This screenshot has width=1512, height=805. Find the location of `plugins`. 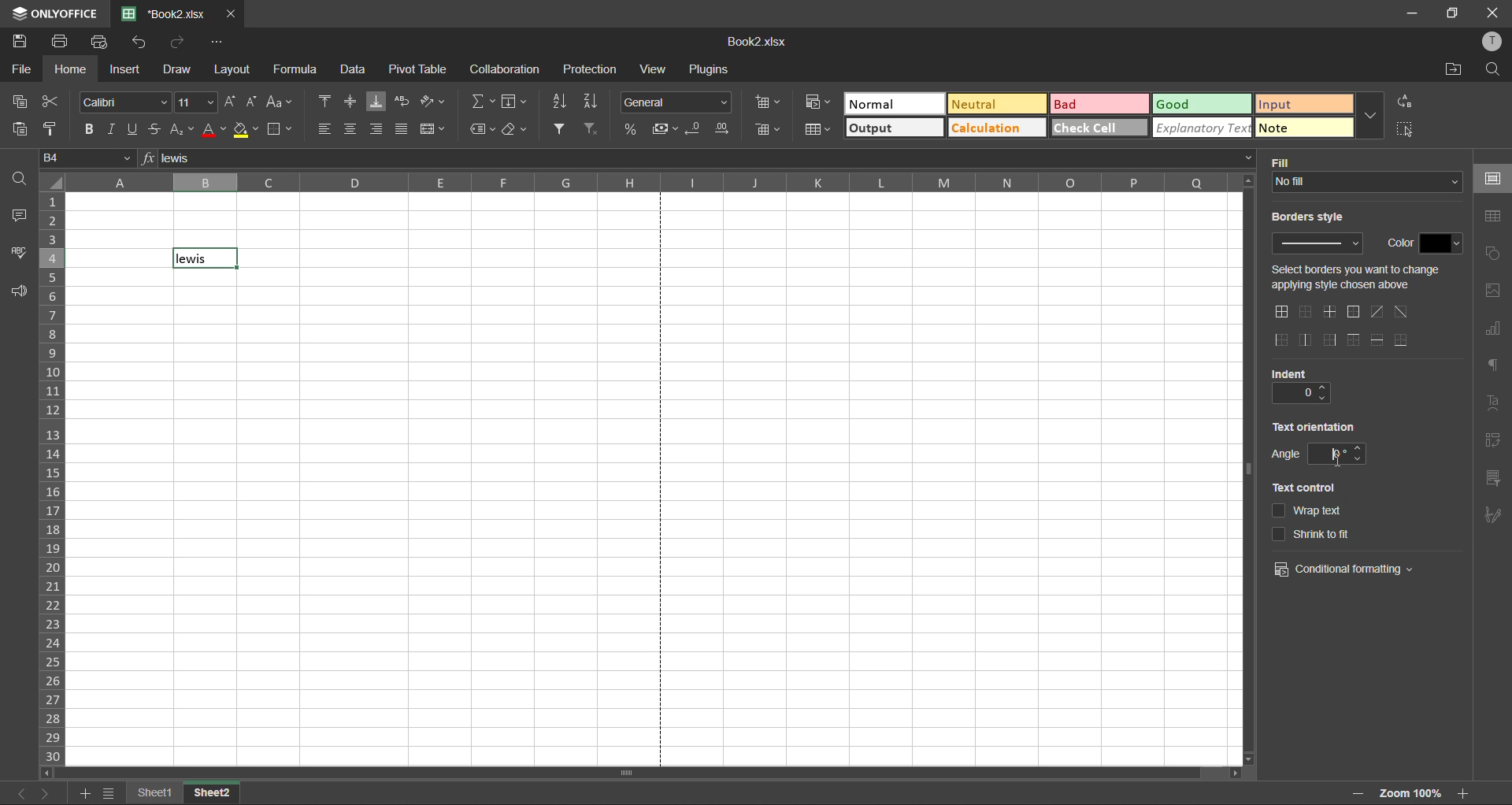

plugins is located at coordinates (711, 69).